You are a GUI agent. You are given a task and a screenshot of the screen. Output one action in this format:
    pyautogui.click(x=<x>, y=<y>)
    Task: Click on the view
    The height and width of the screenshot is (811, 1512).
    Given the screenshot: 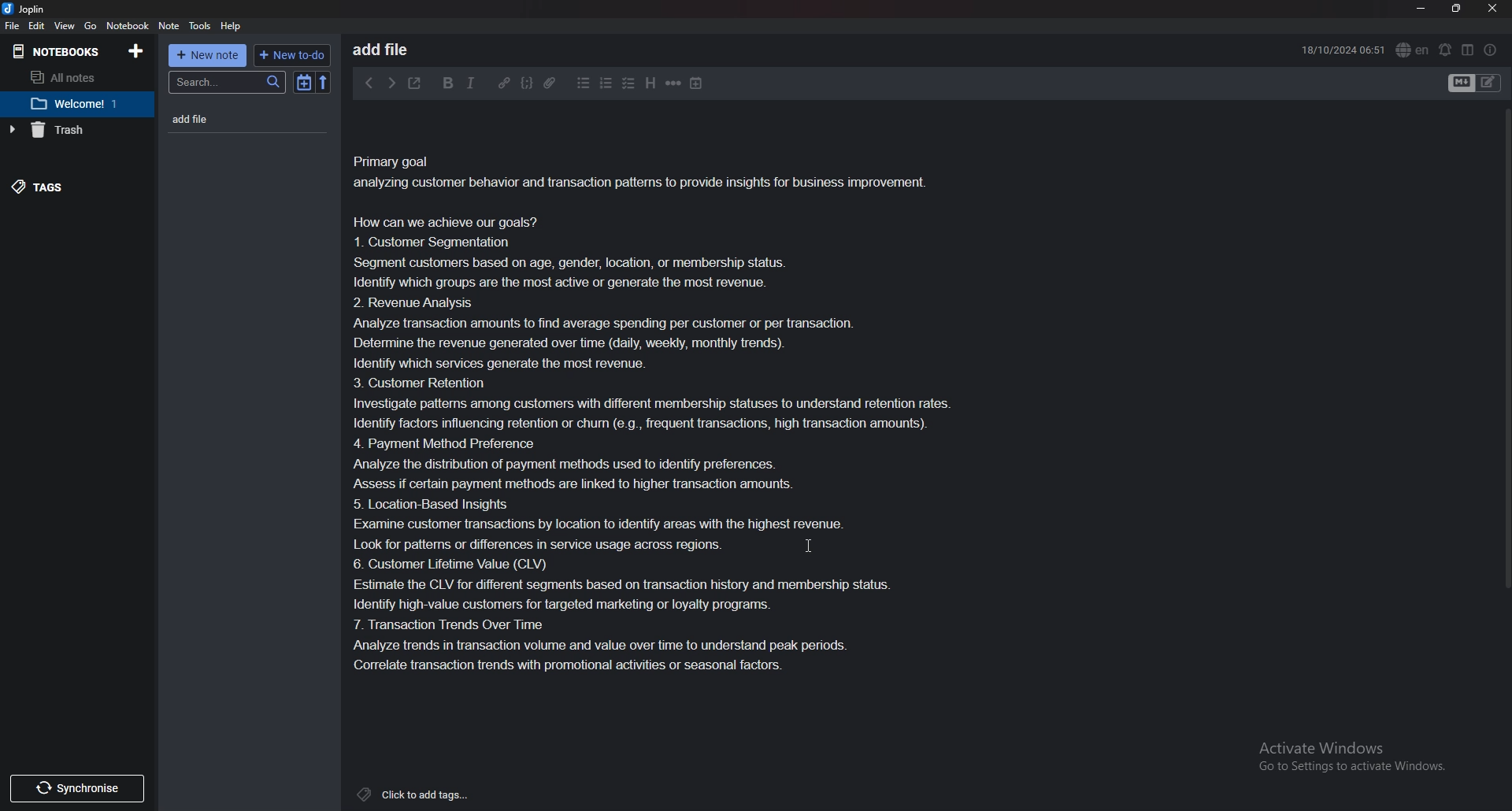 What is the action you would take?
    pyautogui.click(x=65, y=26)
    